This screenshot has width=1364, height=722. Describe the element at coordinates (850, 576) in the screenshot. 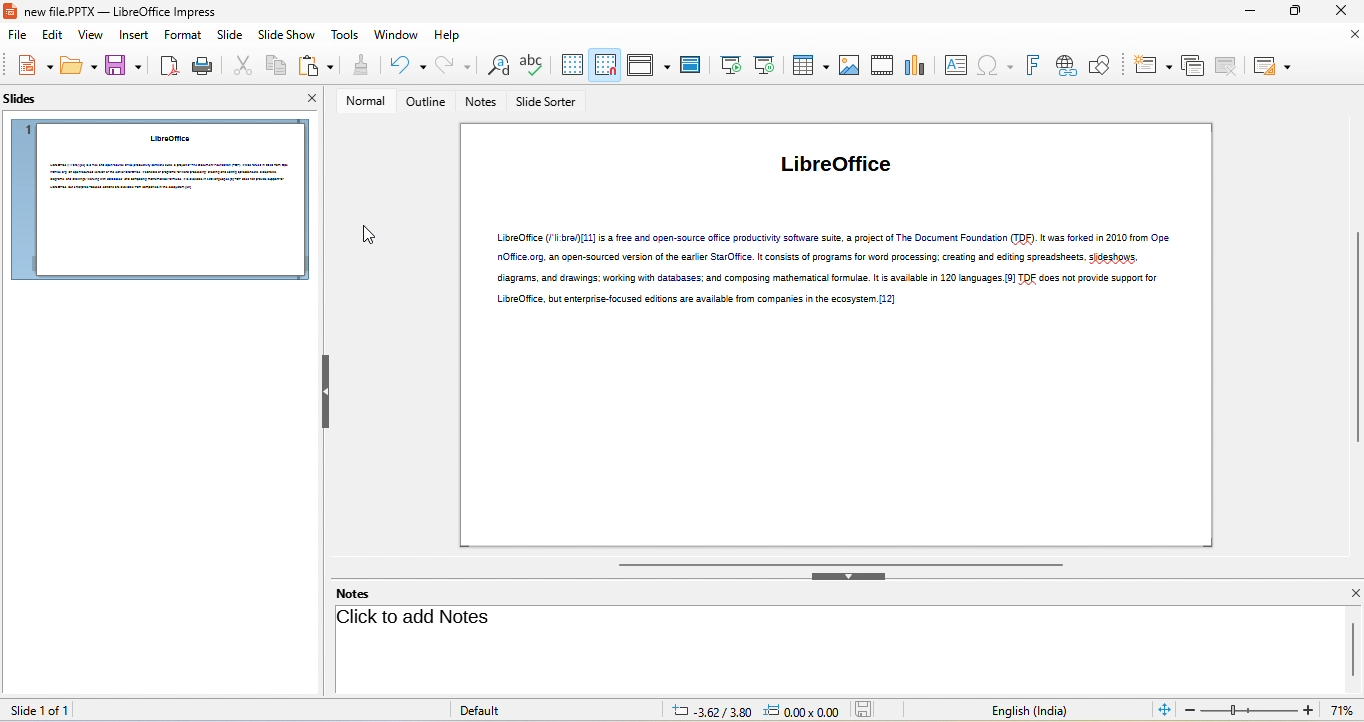

I see `hide bottom sidebar` at that location.